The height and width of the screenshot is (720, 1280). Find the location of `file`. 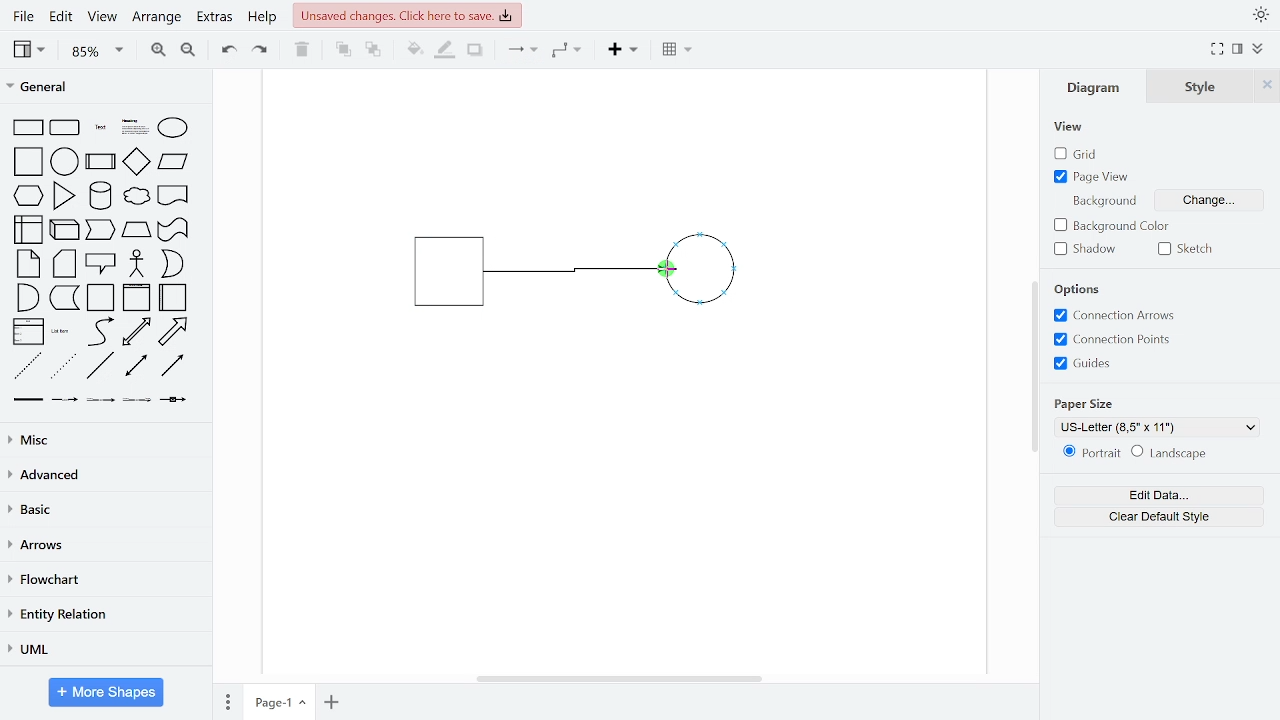

file is located at coordinates (26, 16).